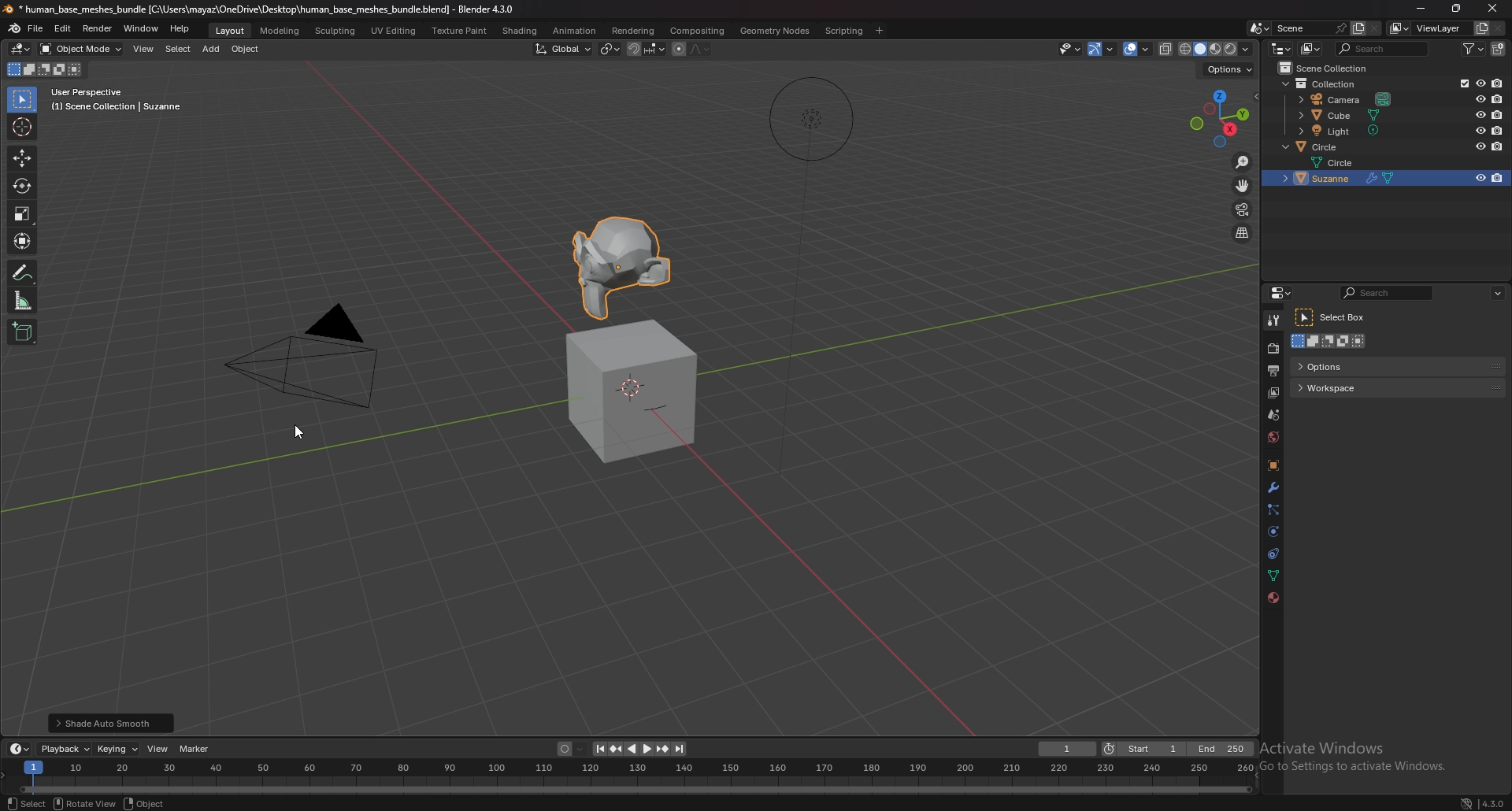 This screenshot has width=1512, height=811. Describe the element at coordinates (1480, 145) in the screenshot. I see `hide in viewport` at that location.